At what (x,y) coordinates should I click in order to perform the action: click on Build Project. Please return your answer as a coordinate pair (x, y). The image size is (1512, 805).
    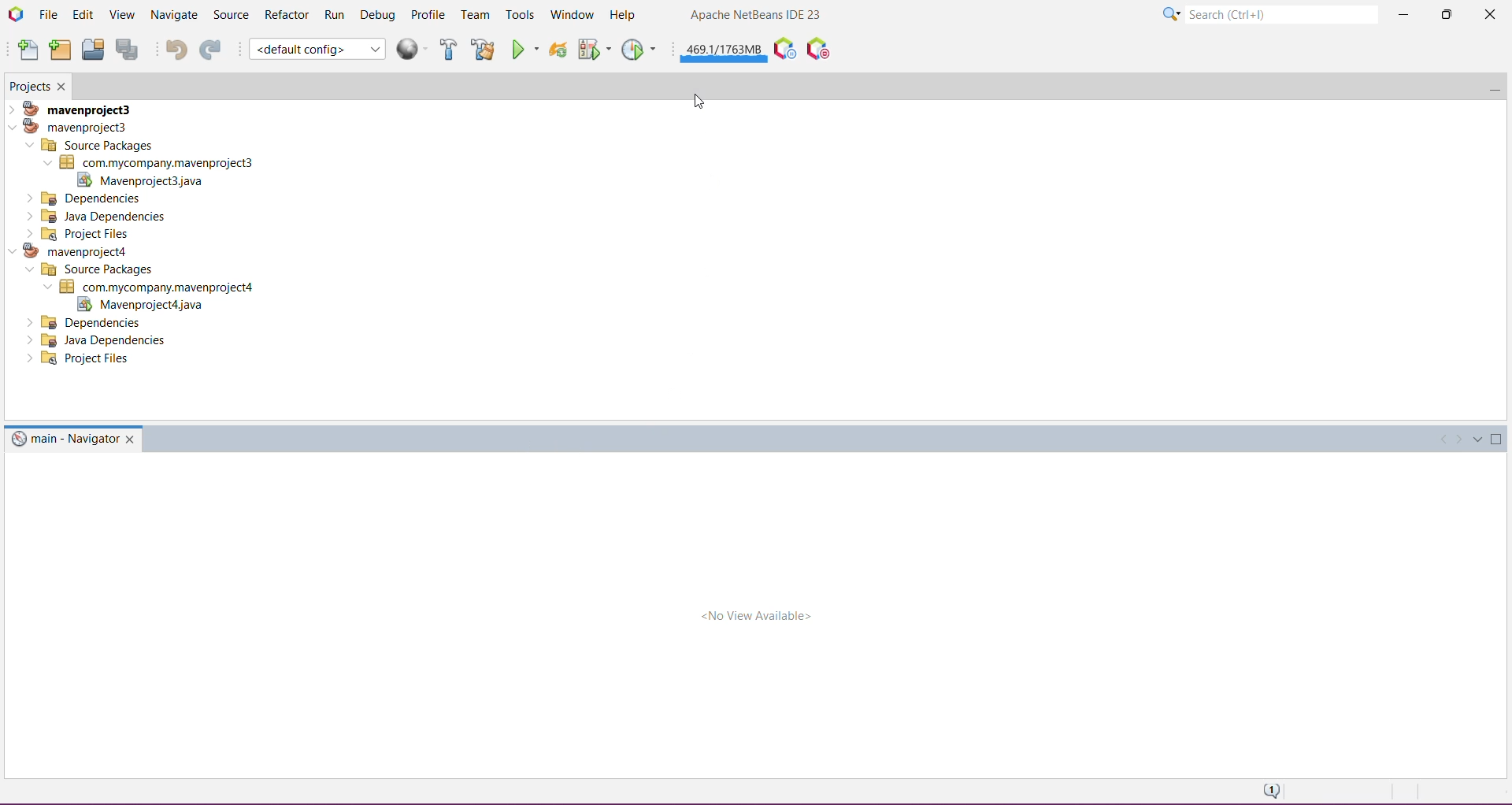
    Looking at the image, I should click on (449, 49).